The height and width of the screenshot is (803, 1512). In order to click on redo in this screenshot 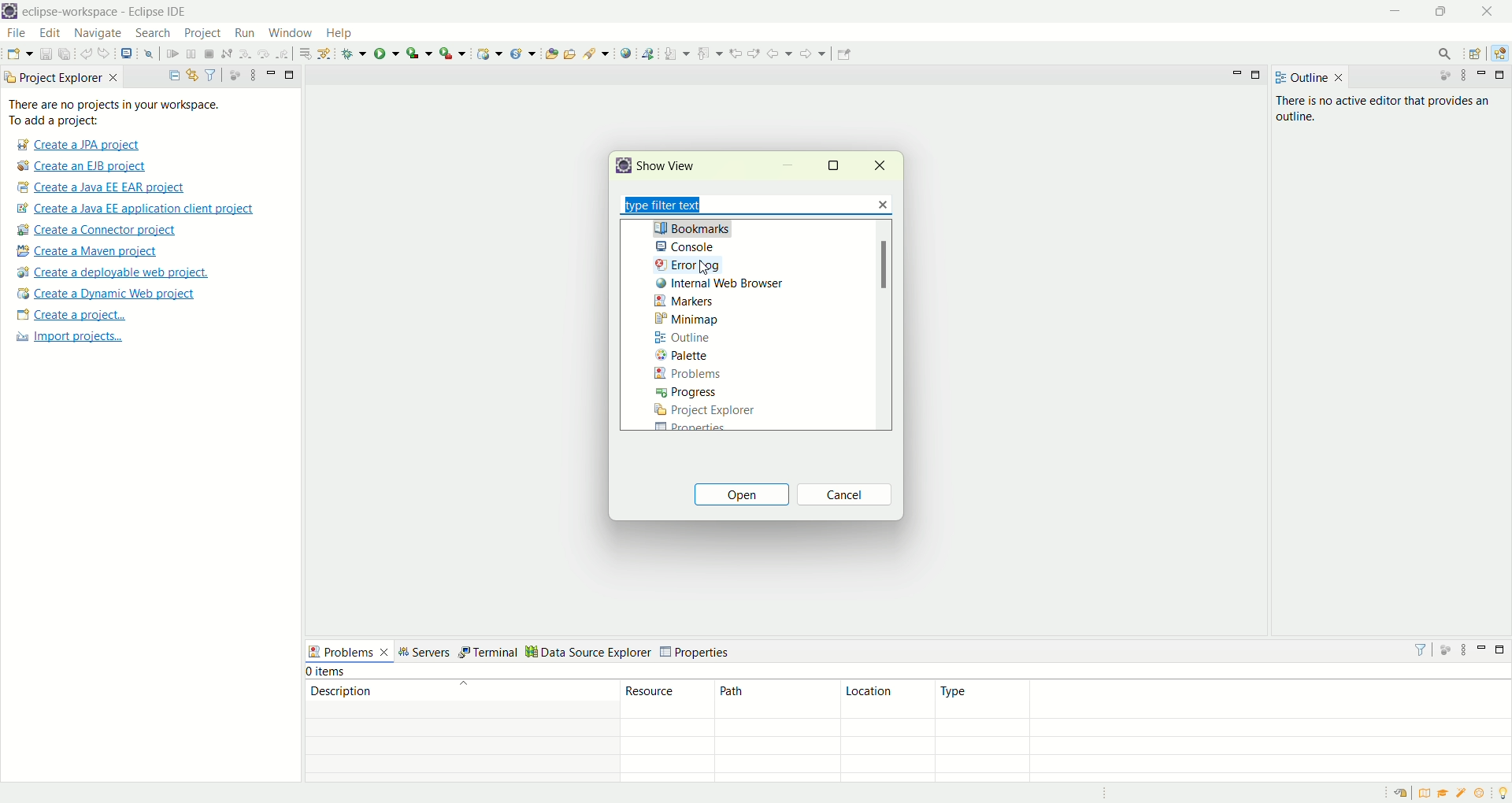, I will do `click(104, 53)`.